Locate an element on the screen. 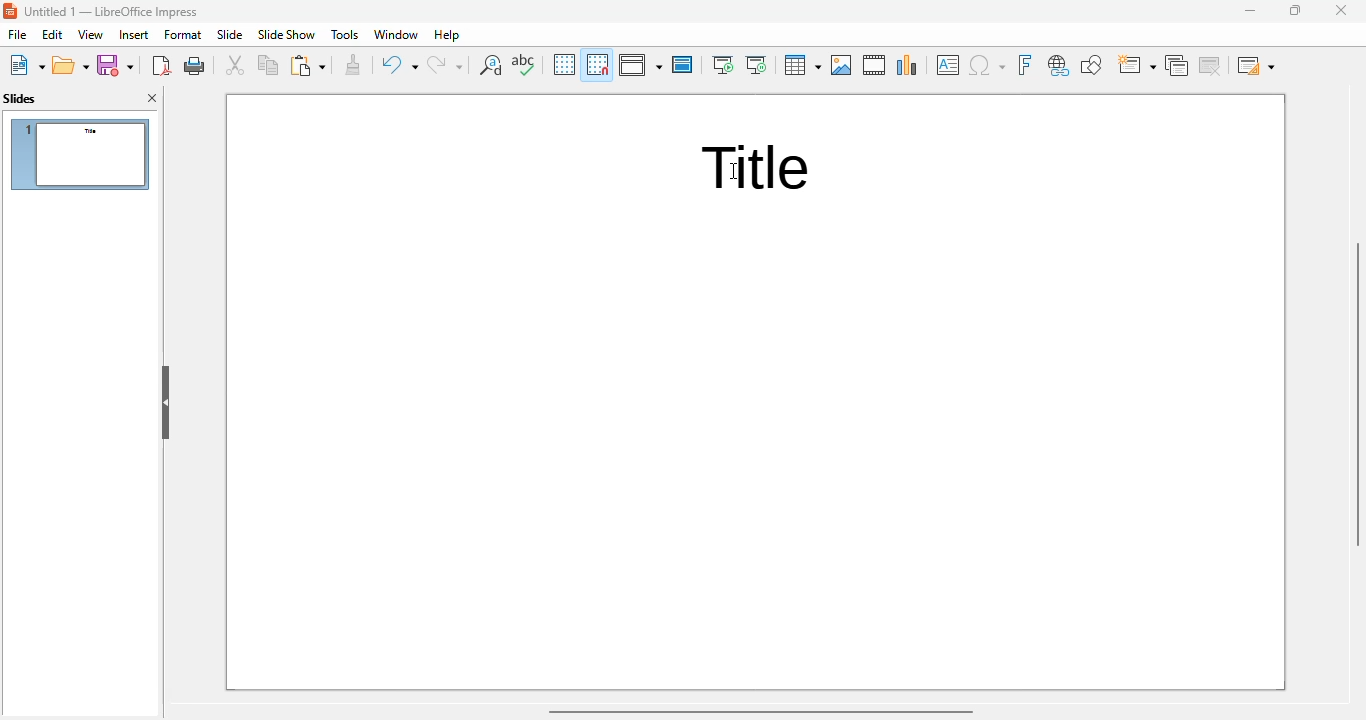 The width and height of the screenshot is (1366, 720). snap to grid is located at coordinates (597, 64).